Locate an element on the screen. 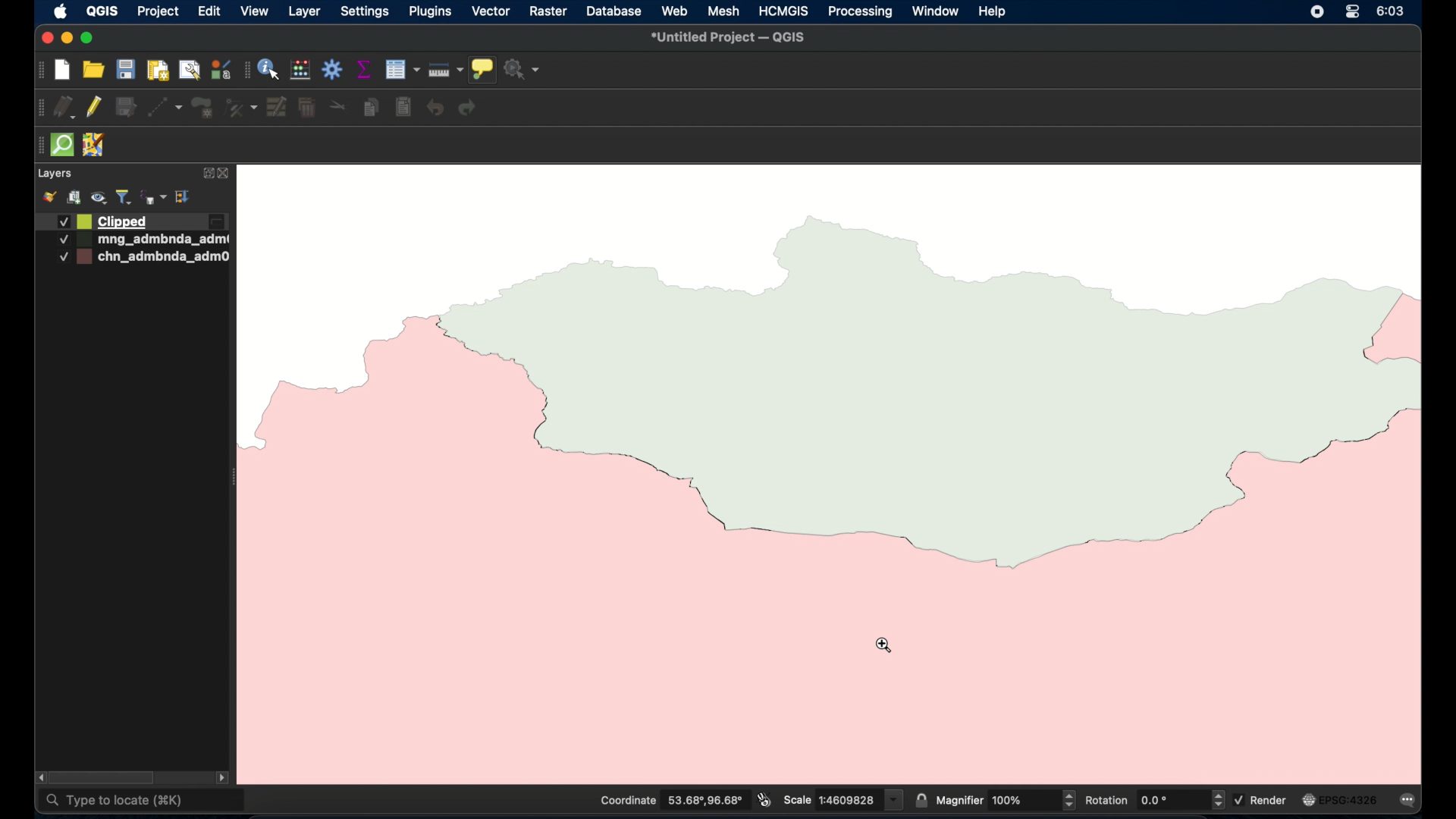  project is located at coordinates (157, 13).